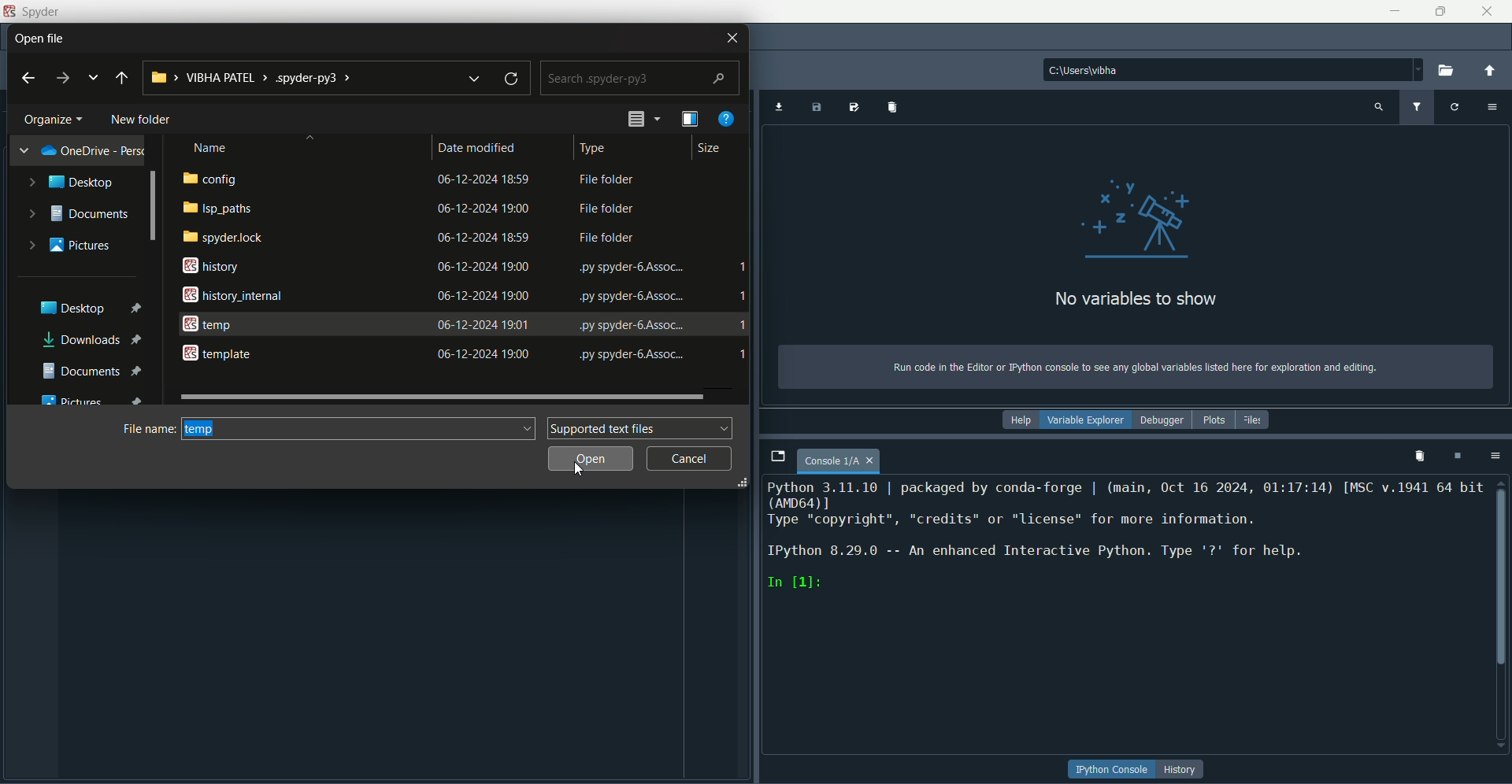  What do you see at coordinates (96, 341) in the screenshot?
I see `downloads` at bounding box center [96, 341].